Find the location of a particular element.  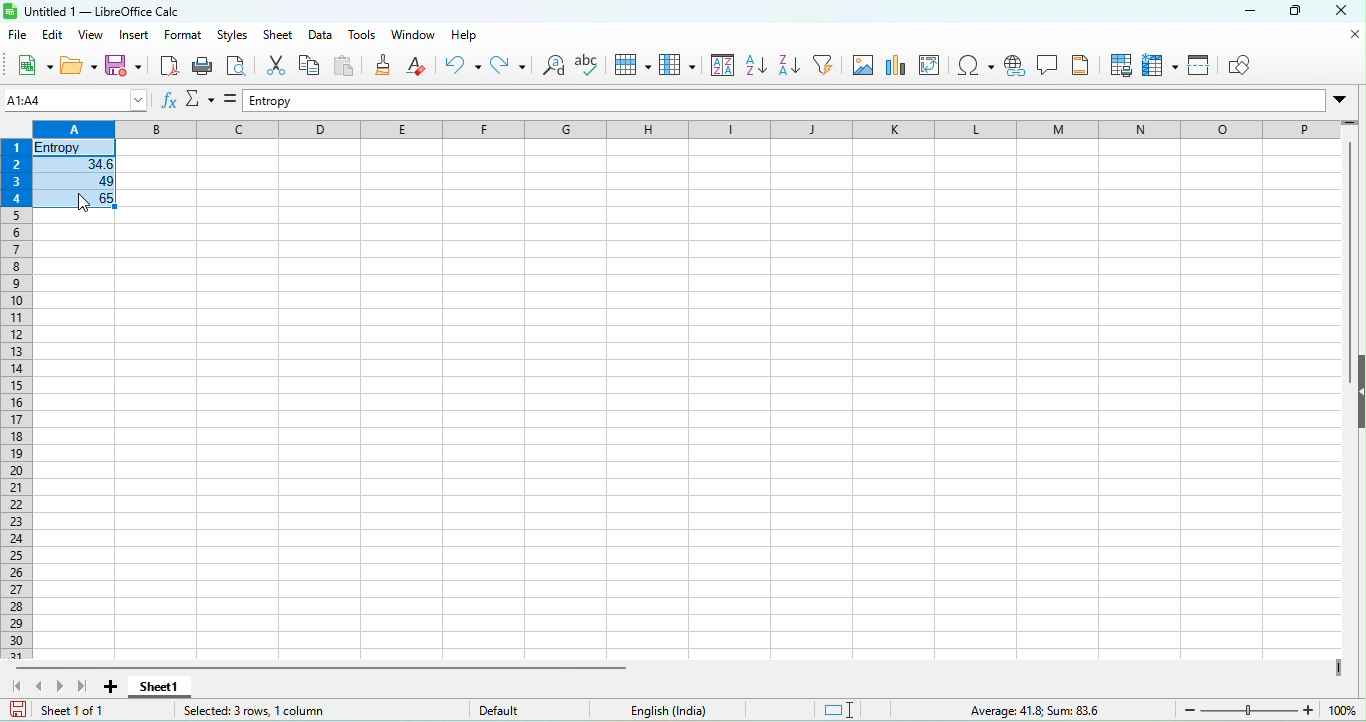

undo is located at coordinates (461, 70).